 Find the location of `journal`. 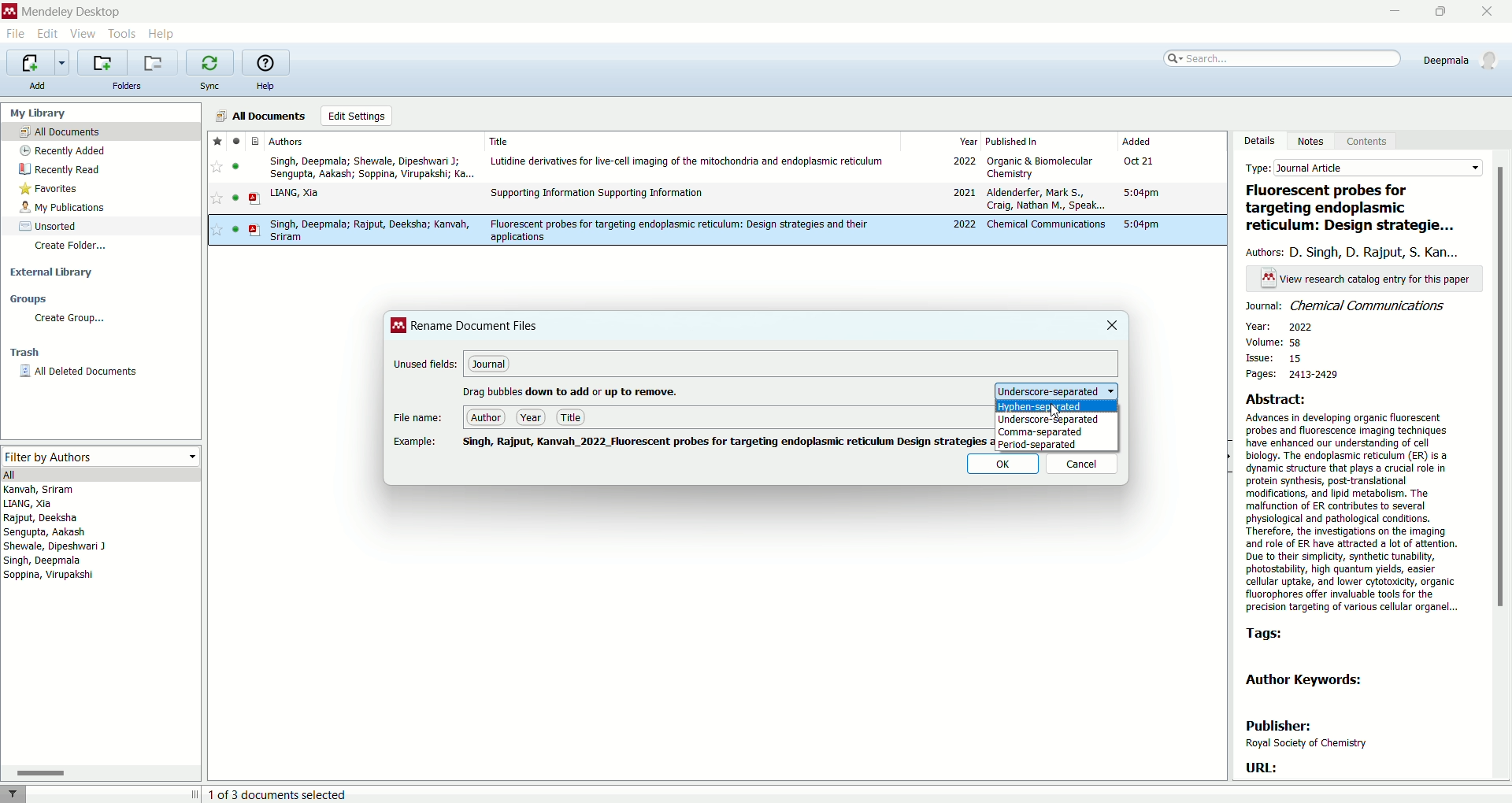

journal is located at coordinates (490, 366).